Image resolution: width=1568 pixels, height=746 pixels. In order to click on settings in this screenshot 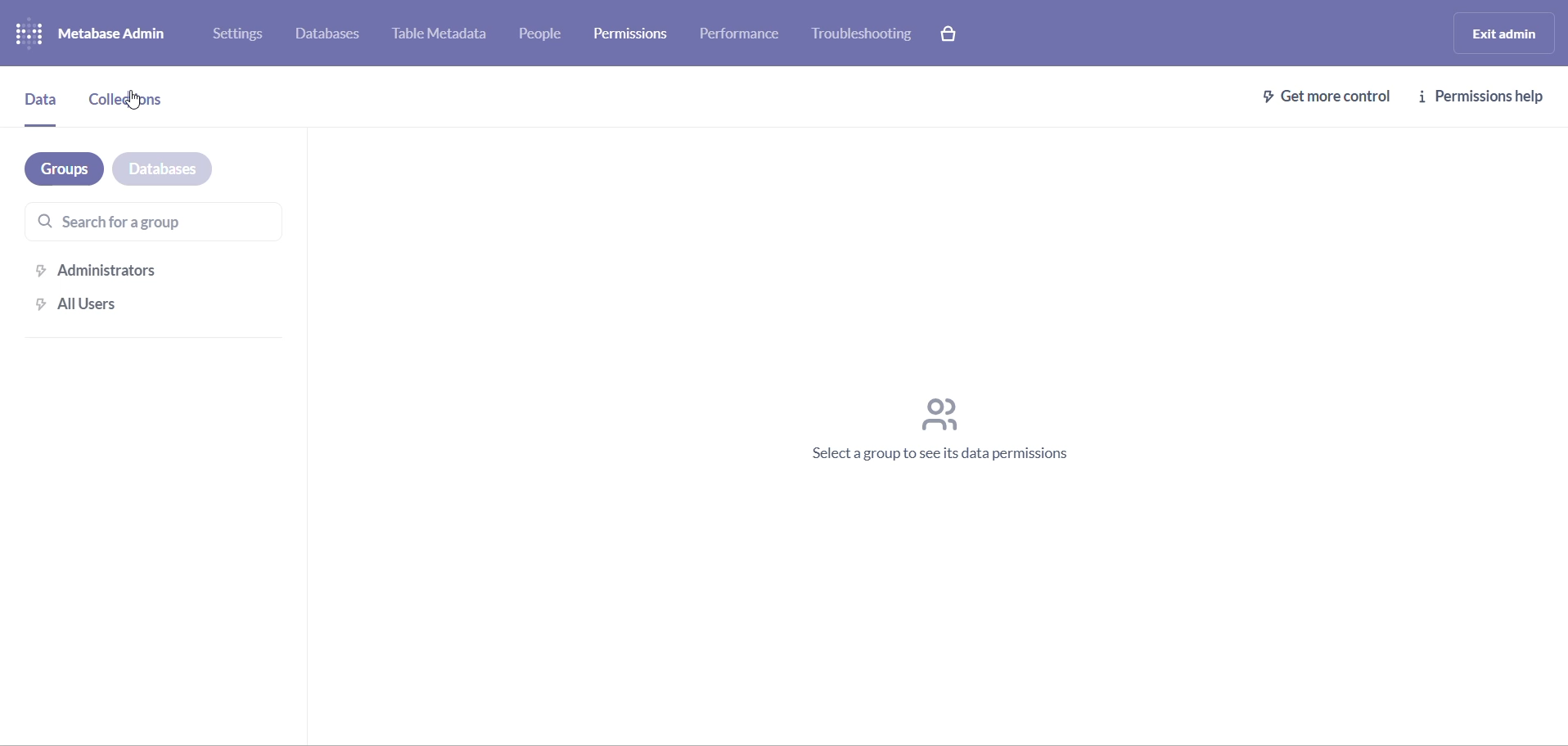, I will do `click(244, 37)`.